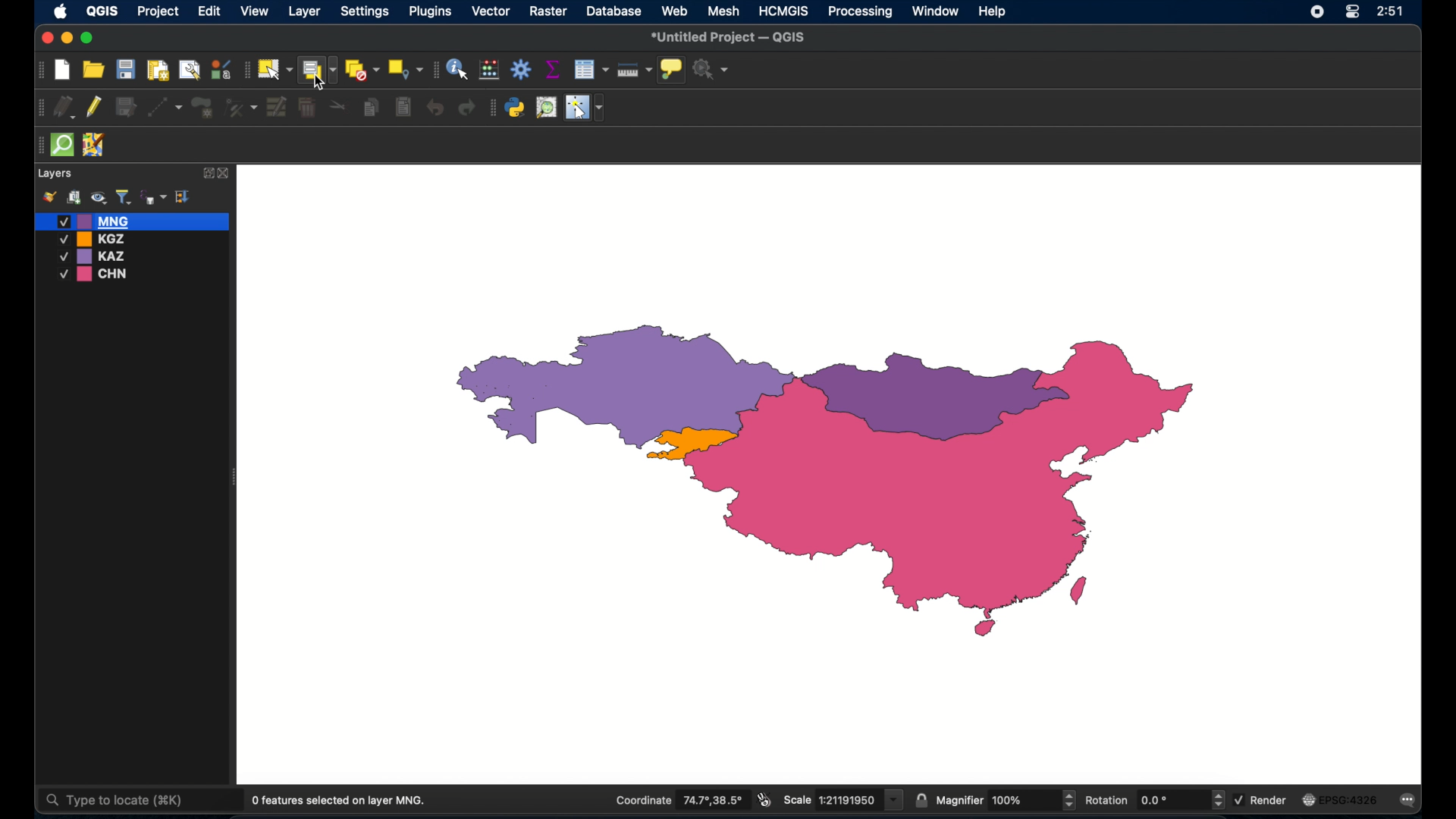  I want to click on minimize, so click(68, 39).